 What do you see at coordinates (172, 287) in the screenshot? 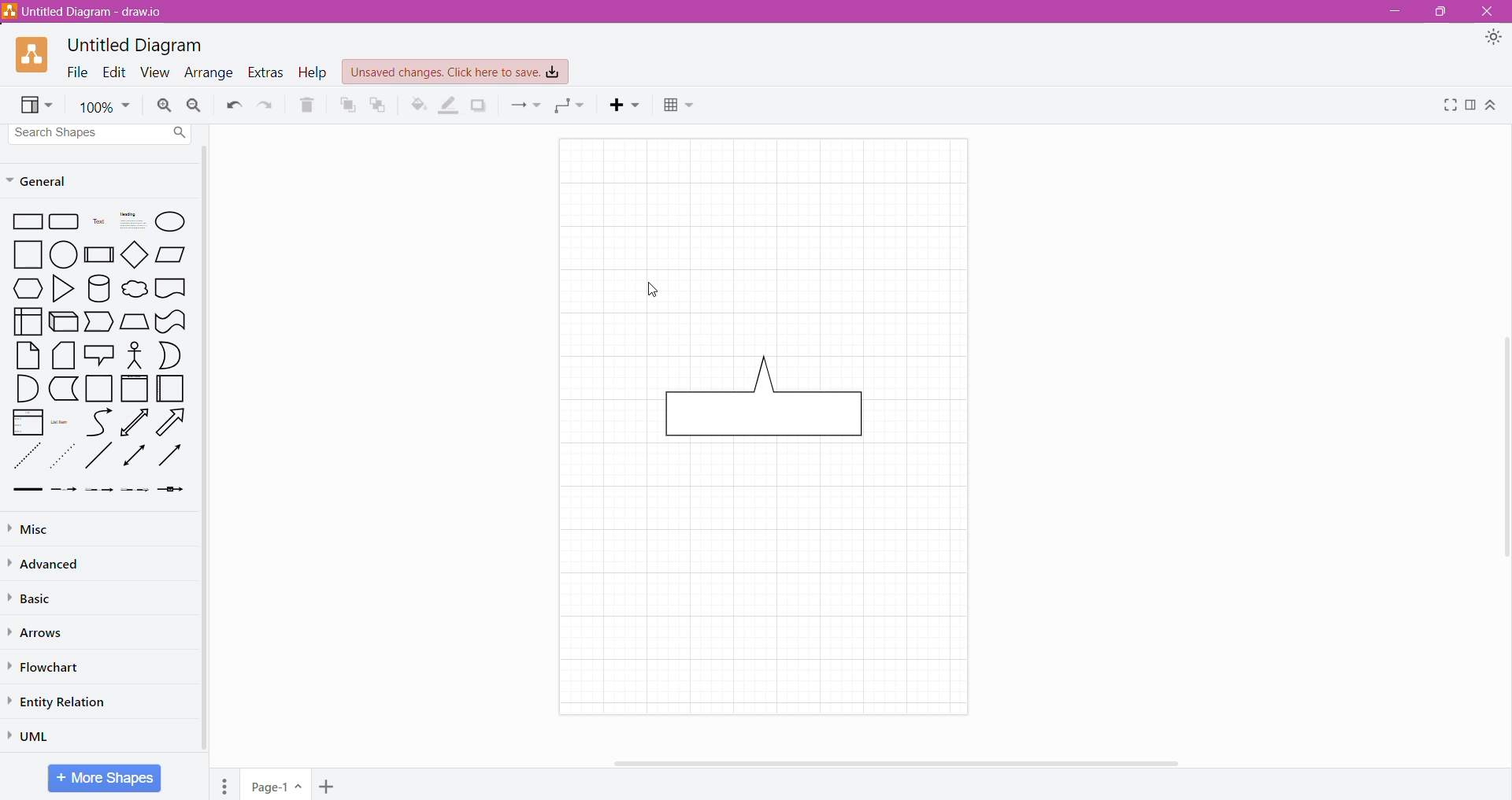
I see `document` at bounding box center [172, 287].